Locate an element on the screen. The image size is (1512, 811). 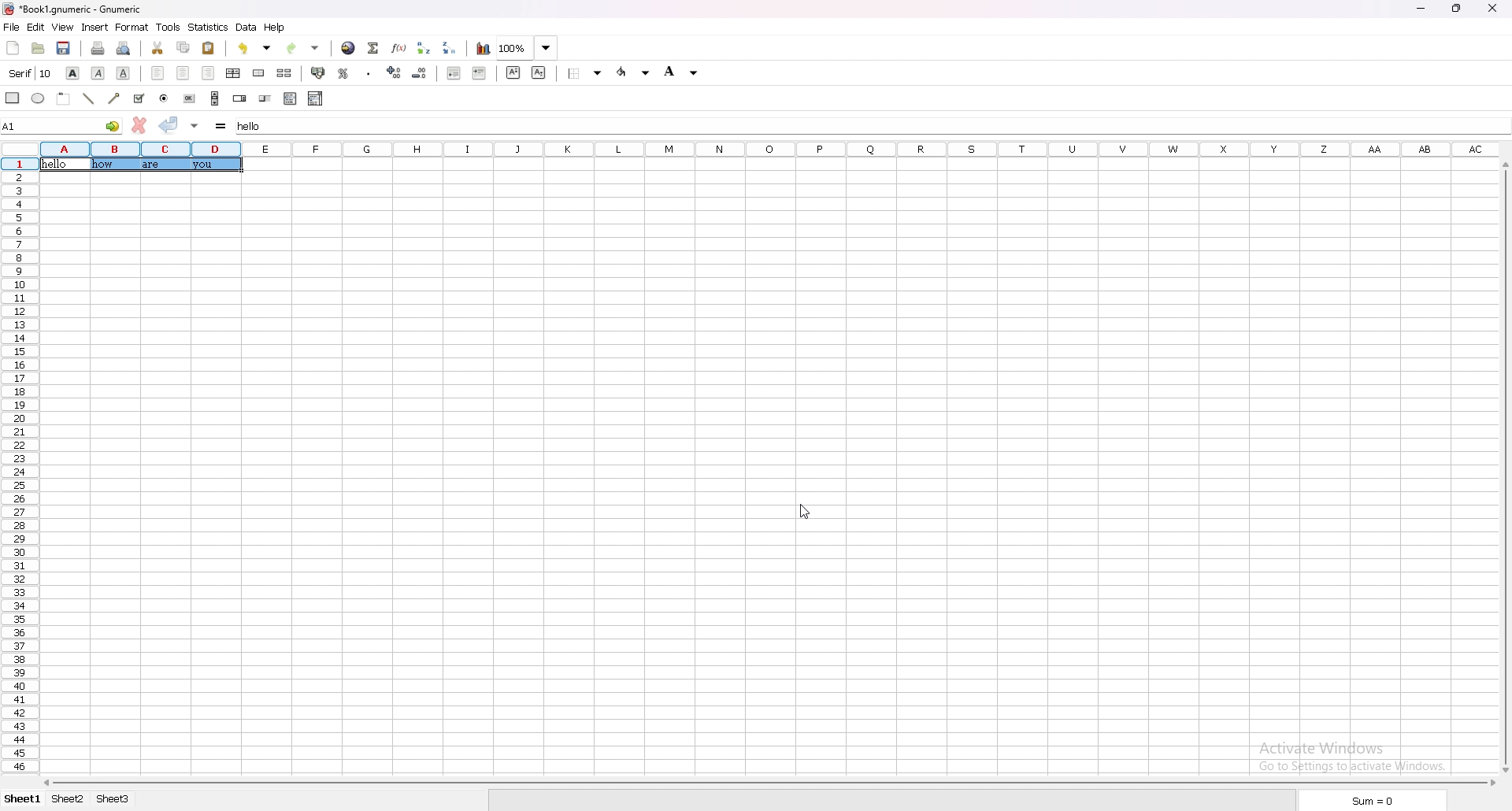
resize is located at coordinates (1459, 8).